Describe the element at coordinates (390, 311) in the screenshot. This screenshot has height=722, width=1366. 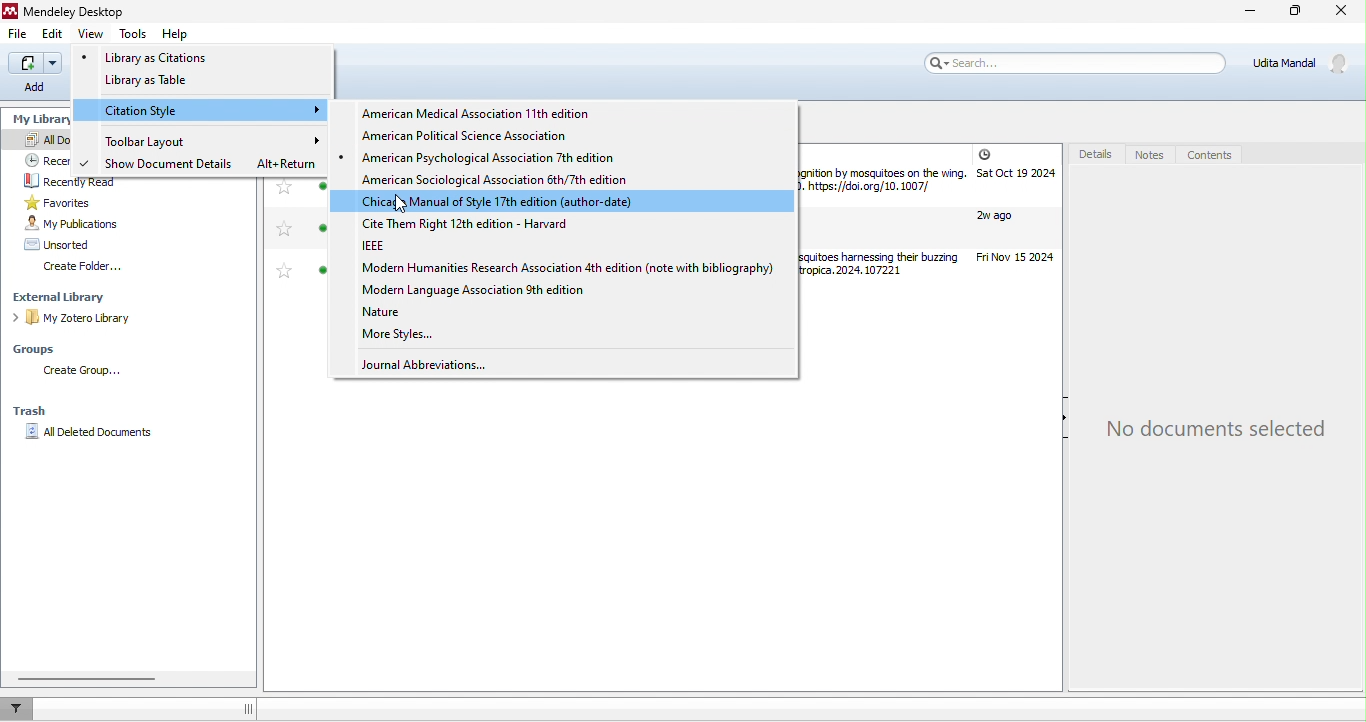
I see `nature` at that location.